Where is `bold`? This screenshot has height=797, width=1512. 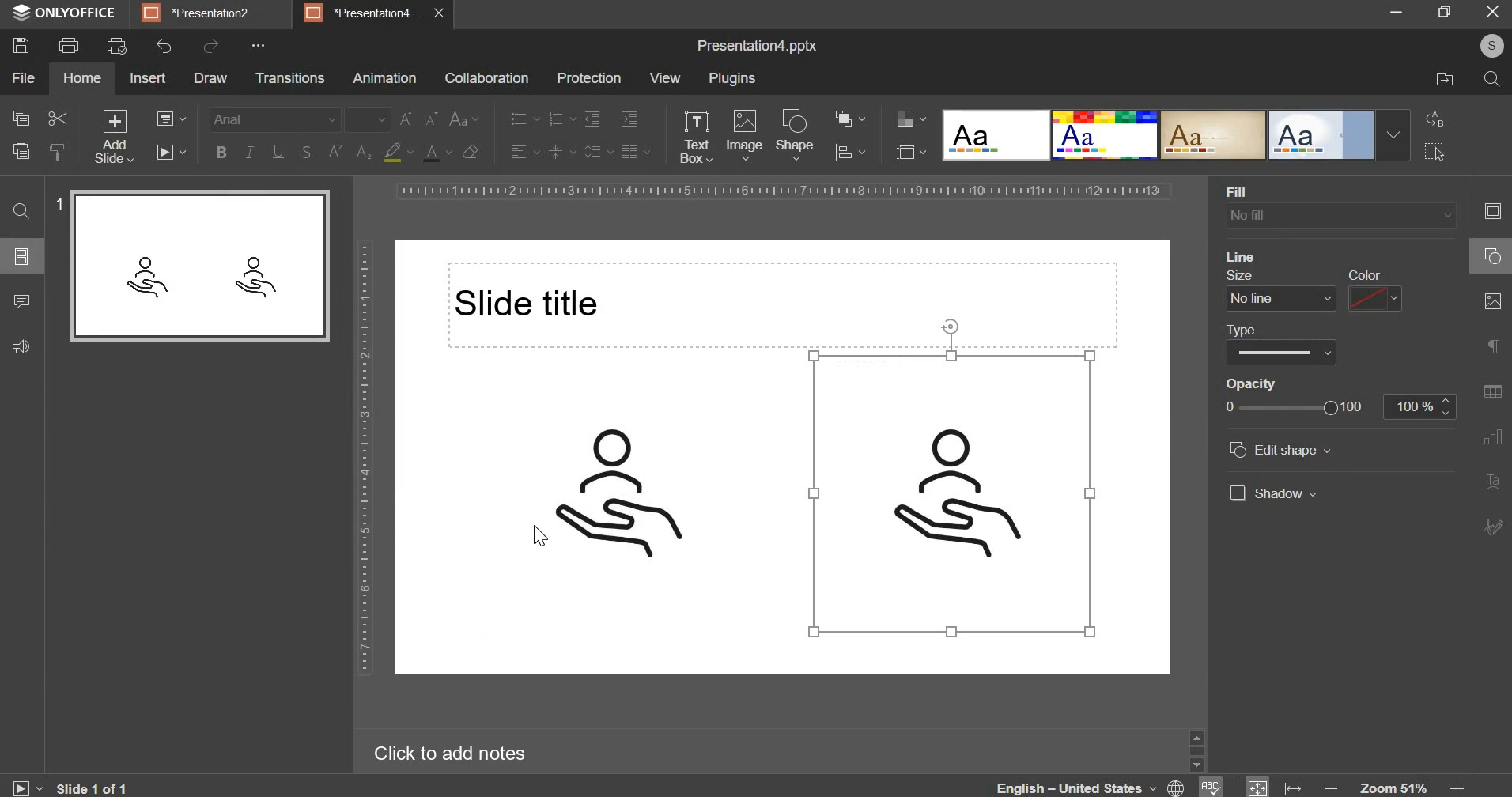
bold is located at coordinates (221, 151).